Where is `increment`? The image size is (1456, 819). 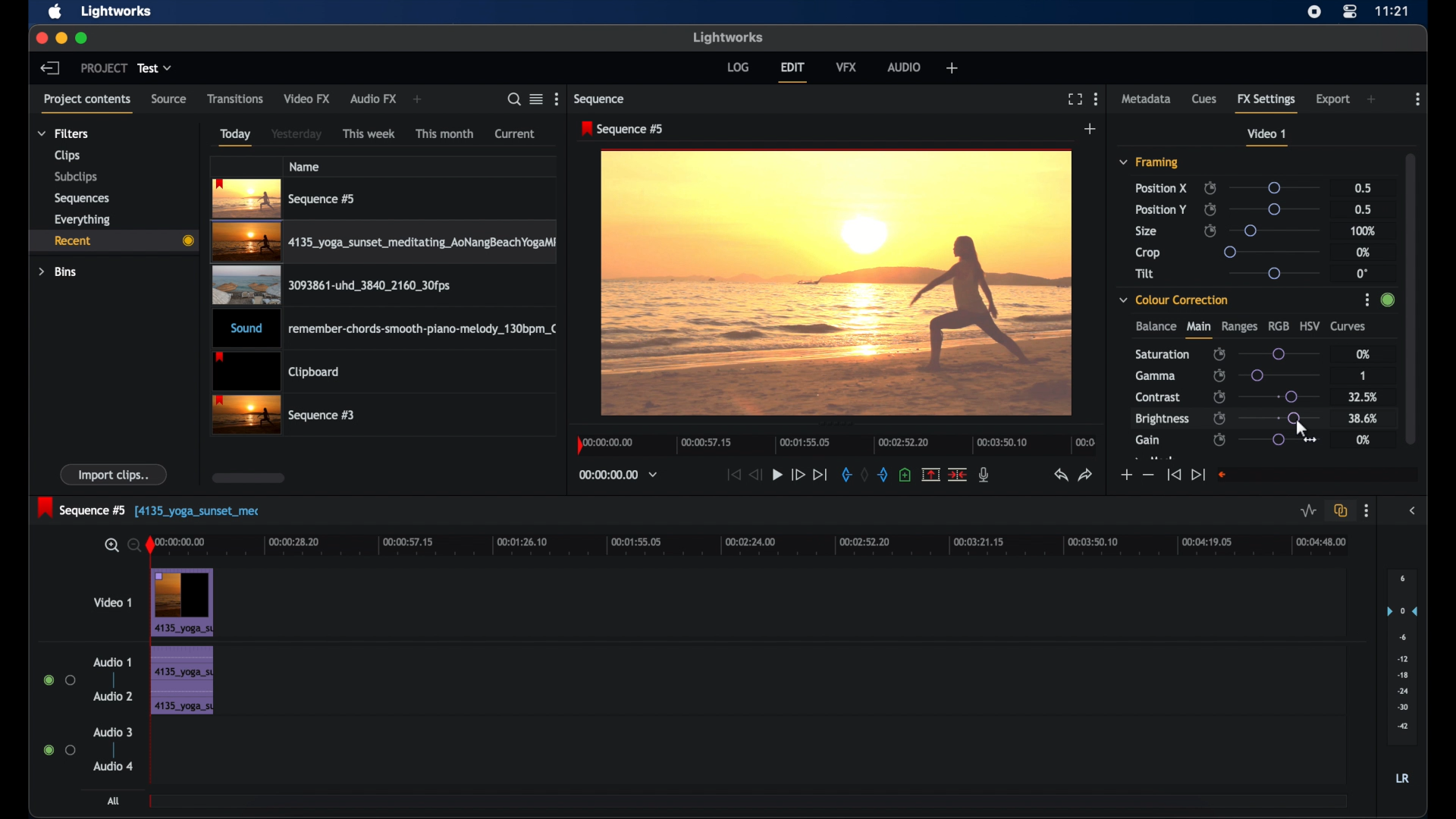 increment is located at coordinates (1125, 475).